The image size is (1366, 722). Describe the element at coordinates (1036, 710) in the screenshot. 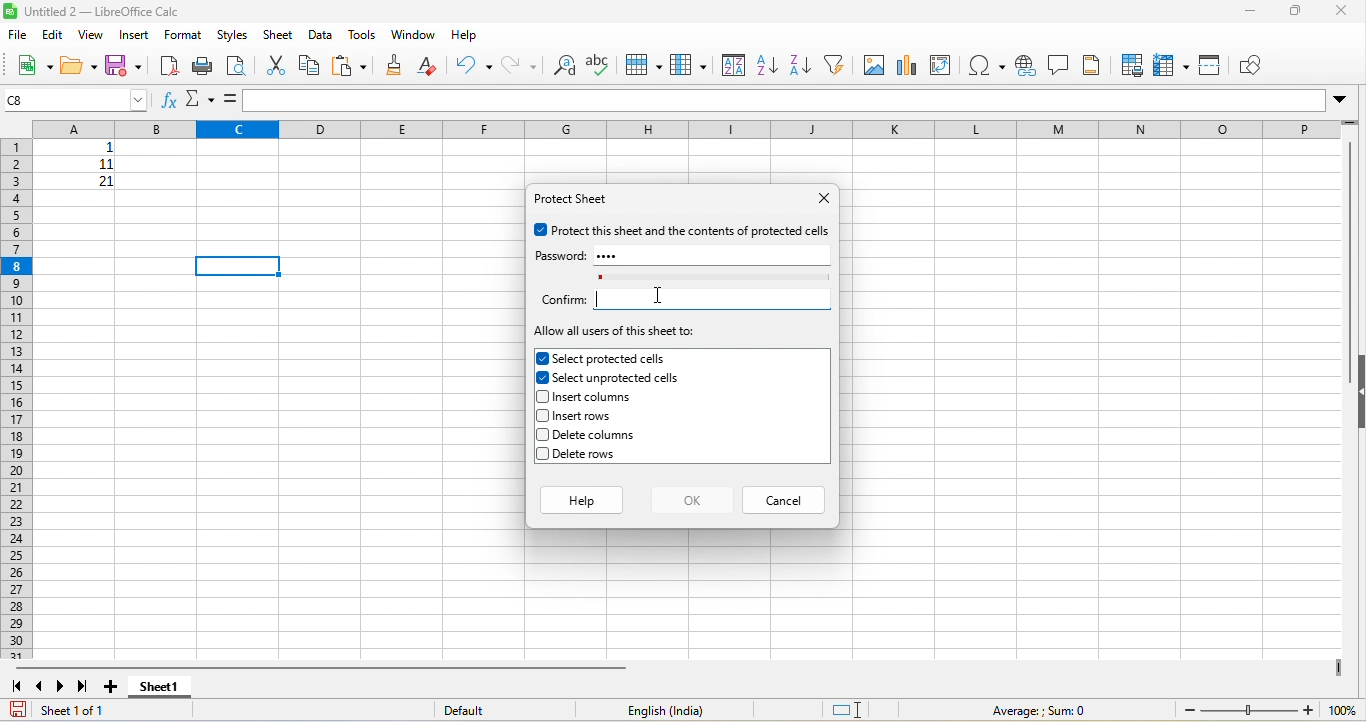

I see `formula` at that location.